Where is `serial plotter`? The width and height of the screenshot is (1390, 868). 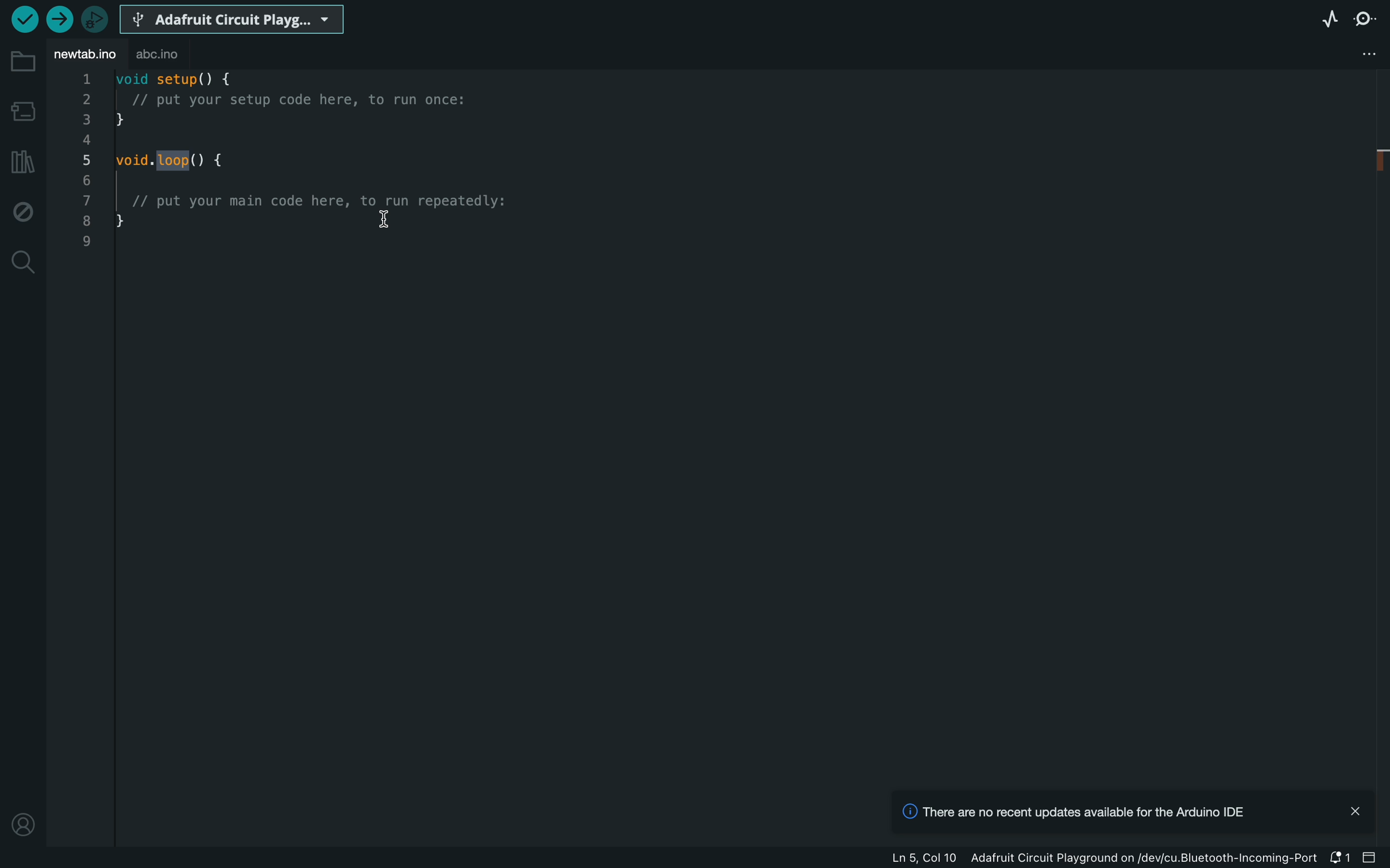
serial plotter is located at coordinates (1326, 19).